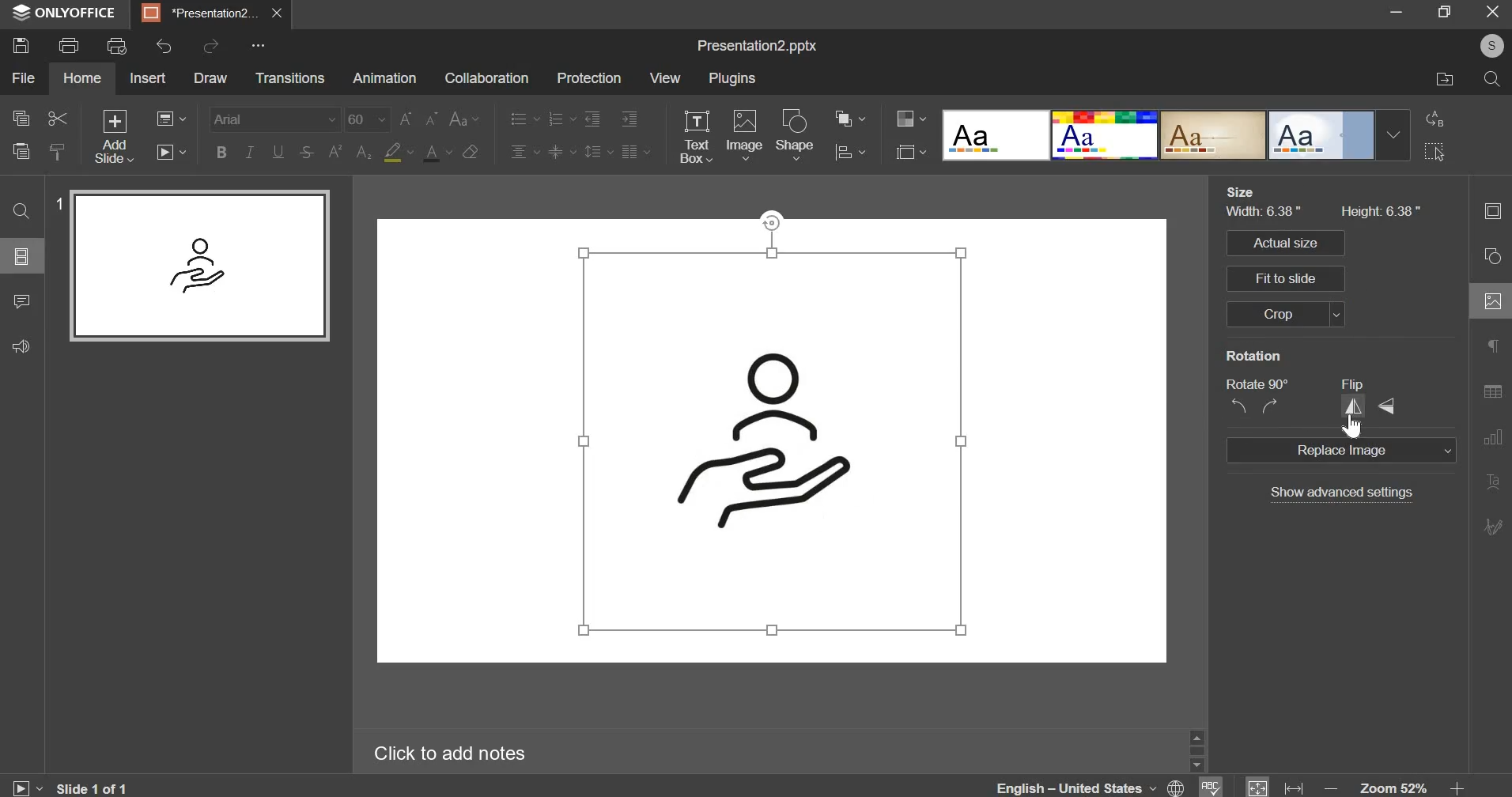 This screenshot has height=797, width=1512. Describe the element at coordinates (1491, 440) in the screenshot. I see `chart` at that location.